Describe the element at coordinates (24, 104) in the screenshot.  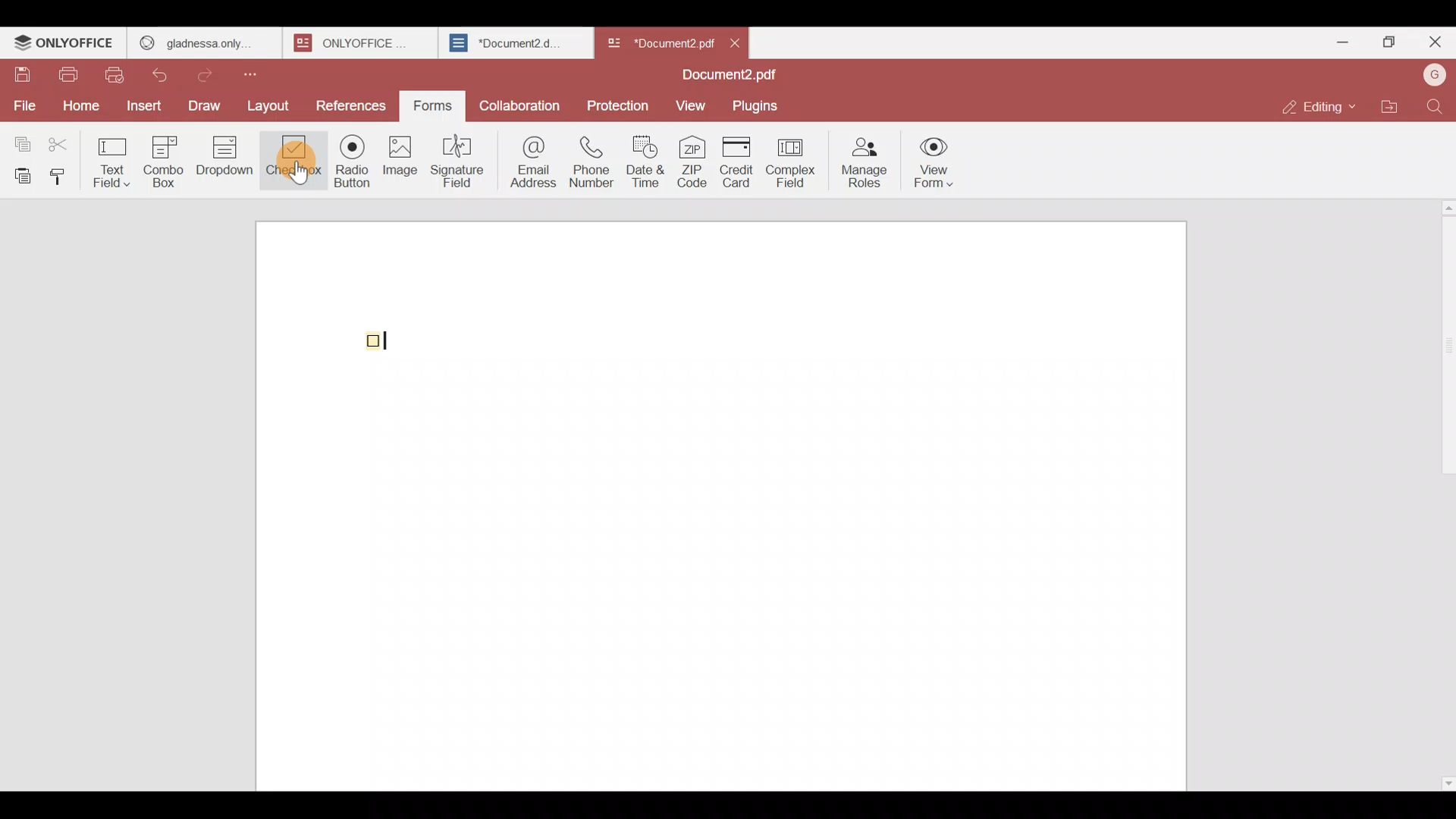
I see `File` at that location.